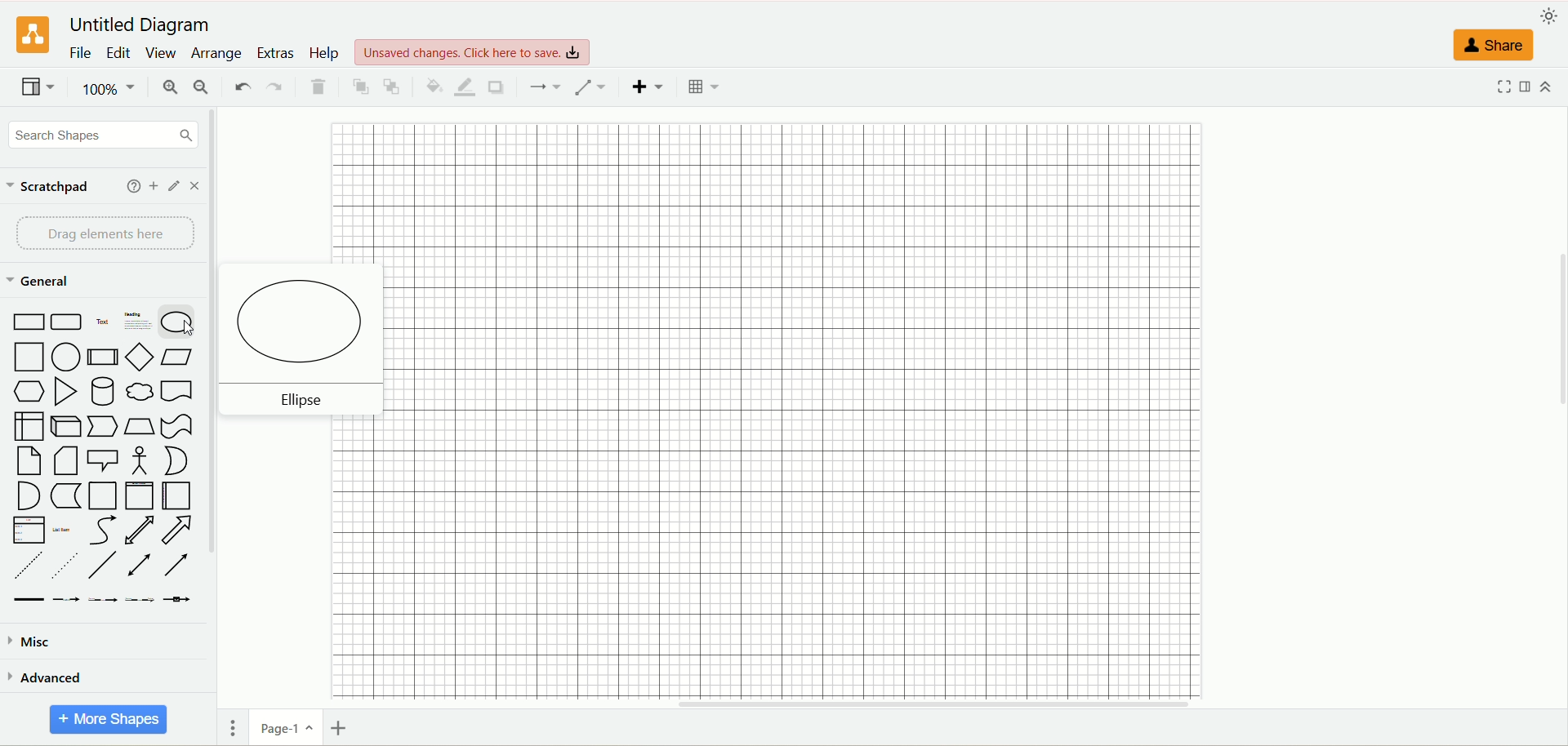 The image size is (1568, 746). I want to click on drag elements here, so click(102, 233).